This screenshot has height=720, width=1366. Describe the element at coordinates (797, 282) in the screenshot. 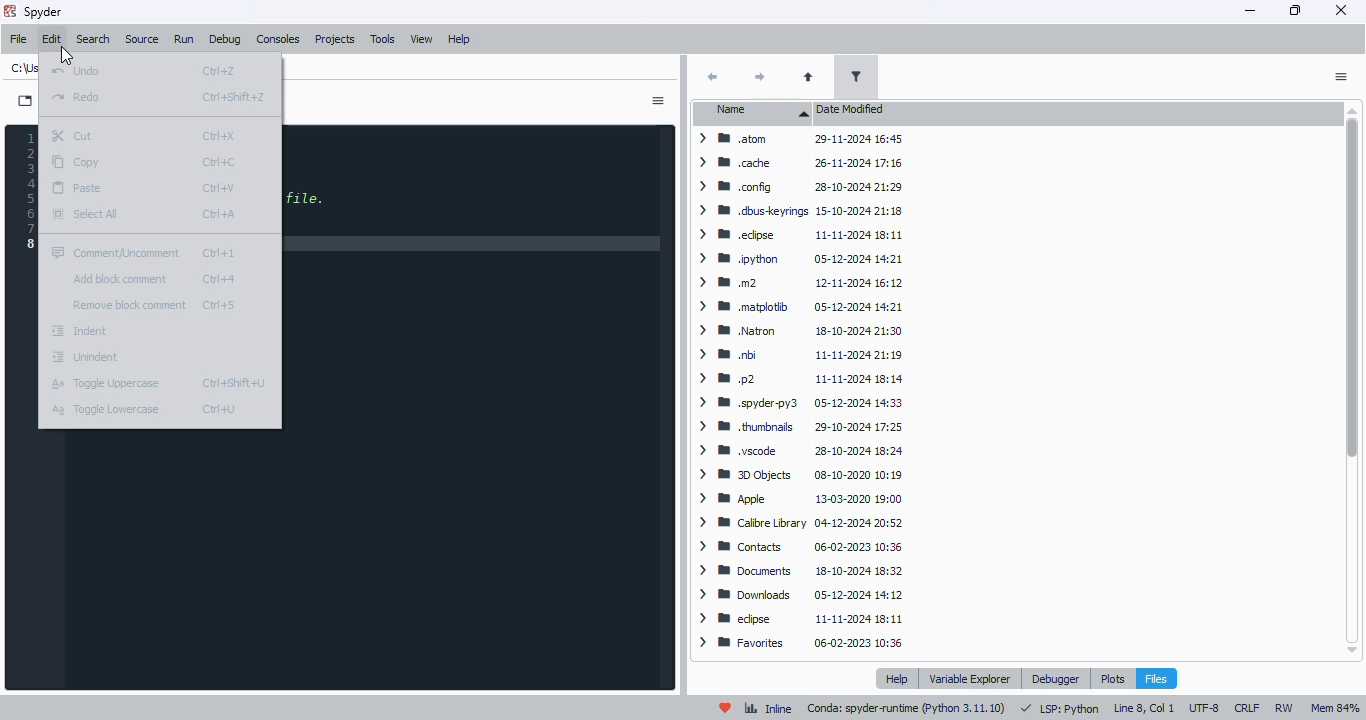

I see `> mm 12-11-2024 16:12` at that location.